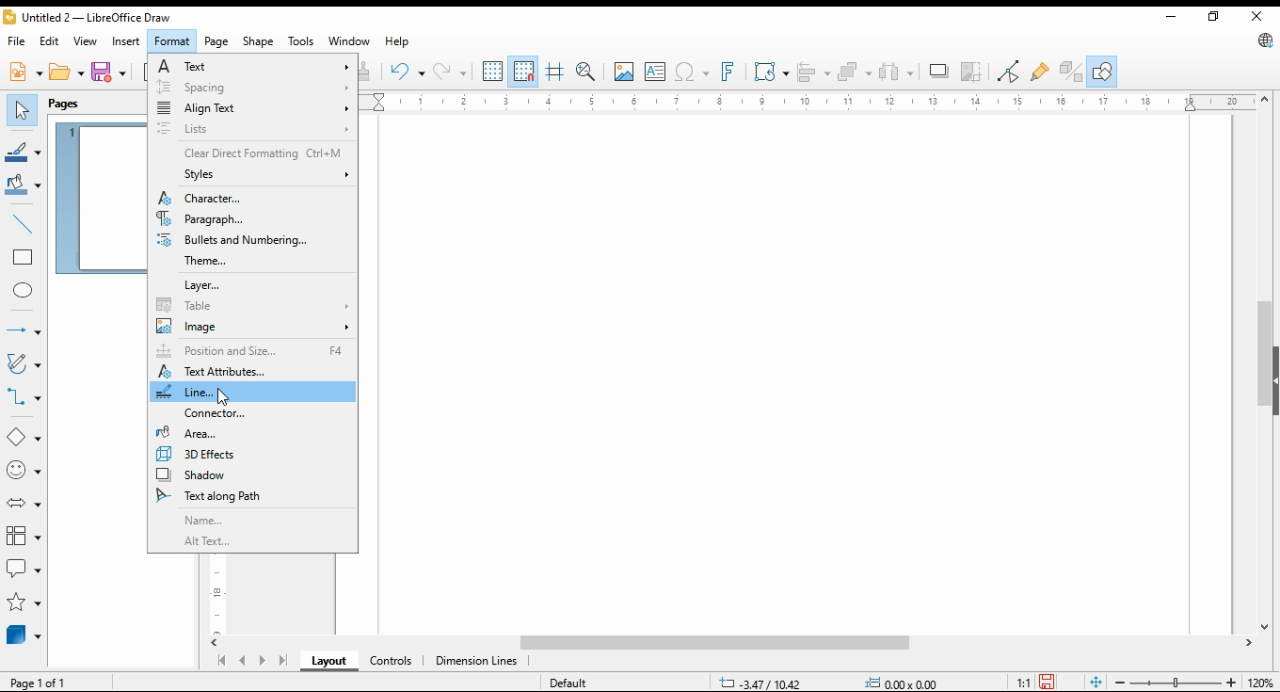 The height and width of the screenshot is (692, 1280). Describe the element at coordinates (252, 153) in the screenshot. I see `clear direct formatting` at that location.